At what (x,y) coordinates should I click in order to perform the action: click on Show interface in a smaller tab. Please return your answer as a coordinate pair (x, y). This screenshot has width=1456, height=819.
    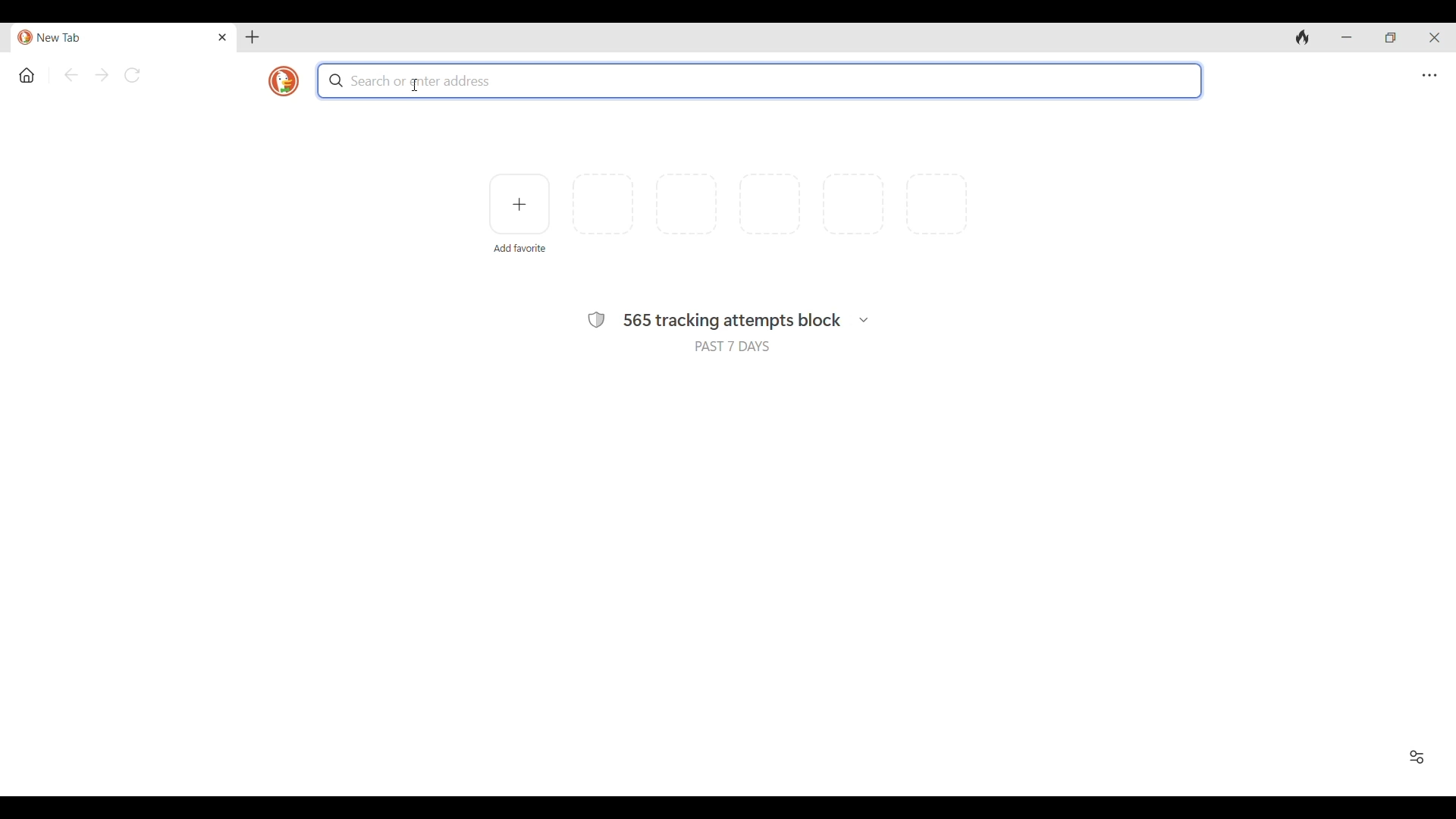
    Looking at the image, I should click on (1390, 37).